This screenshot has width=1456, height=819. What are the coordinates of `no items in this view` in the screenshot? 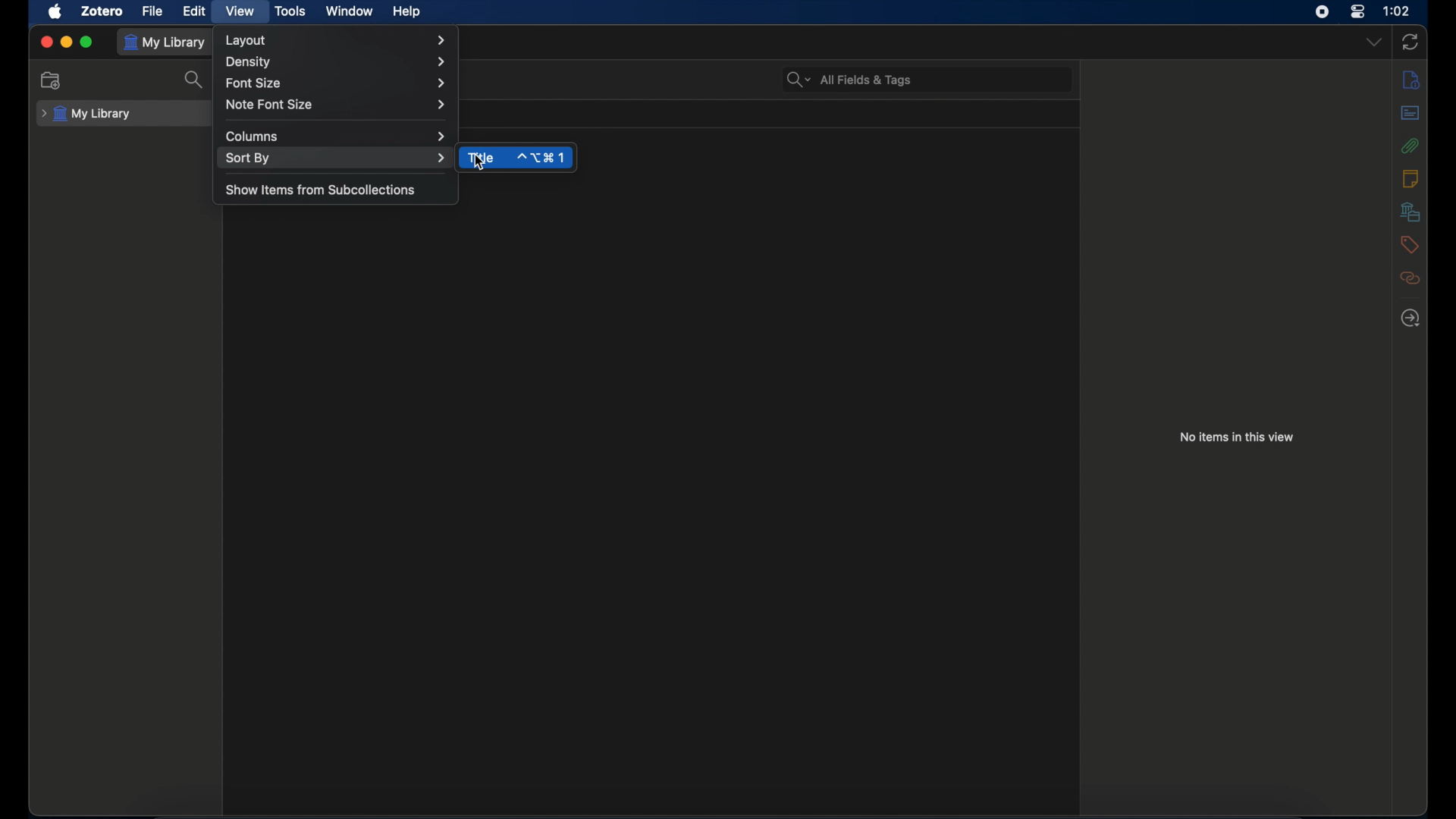 It's located at (1237, 437).